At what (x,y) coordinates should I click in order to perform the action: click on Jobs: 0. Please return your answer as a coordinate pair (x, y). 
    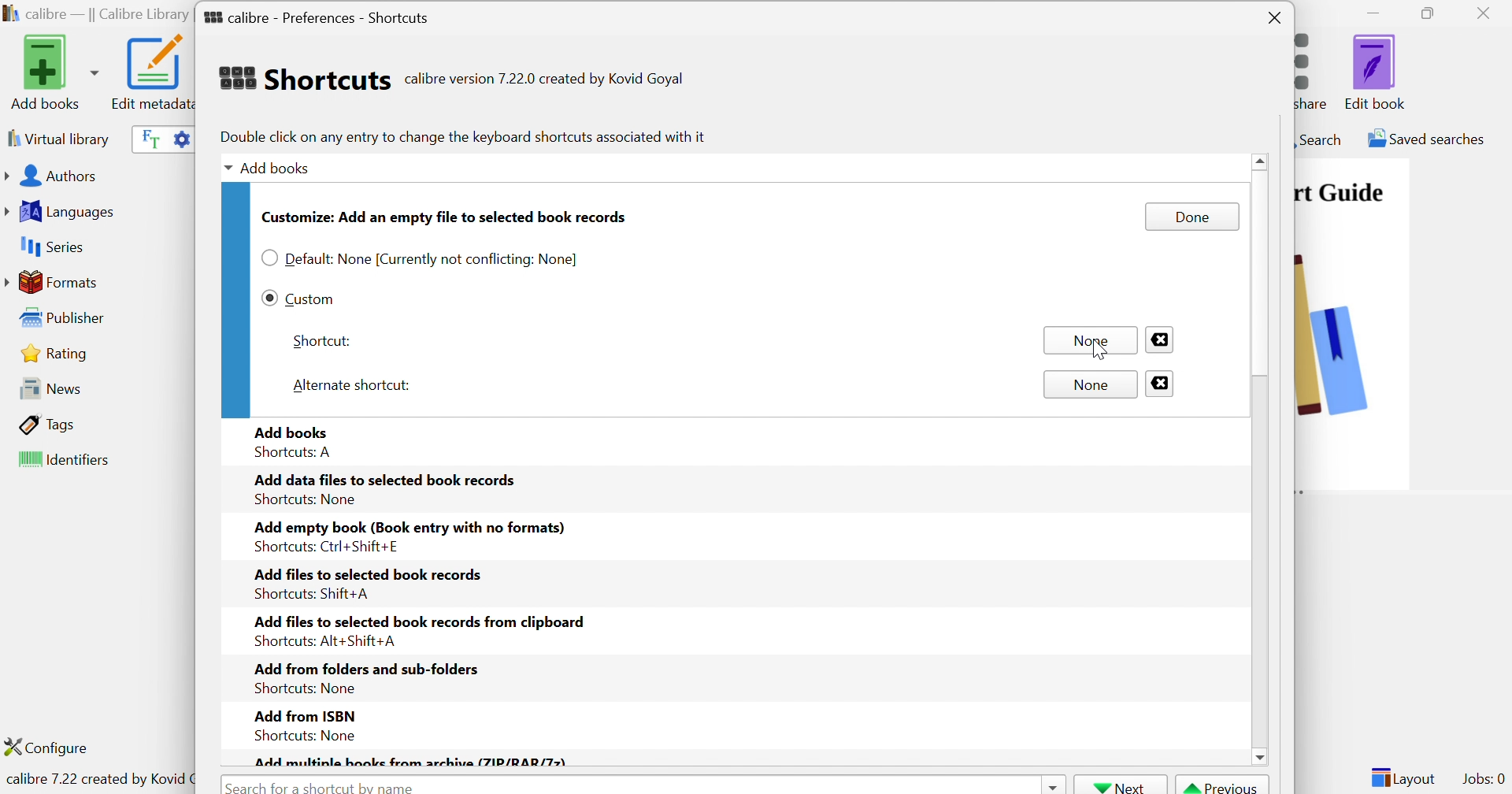
    Looking at the image, I should click on (1484, 780).